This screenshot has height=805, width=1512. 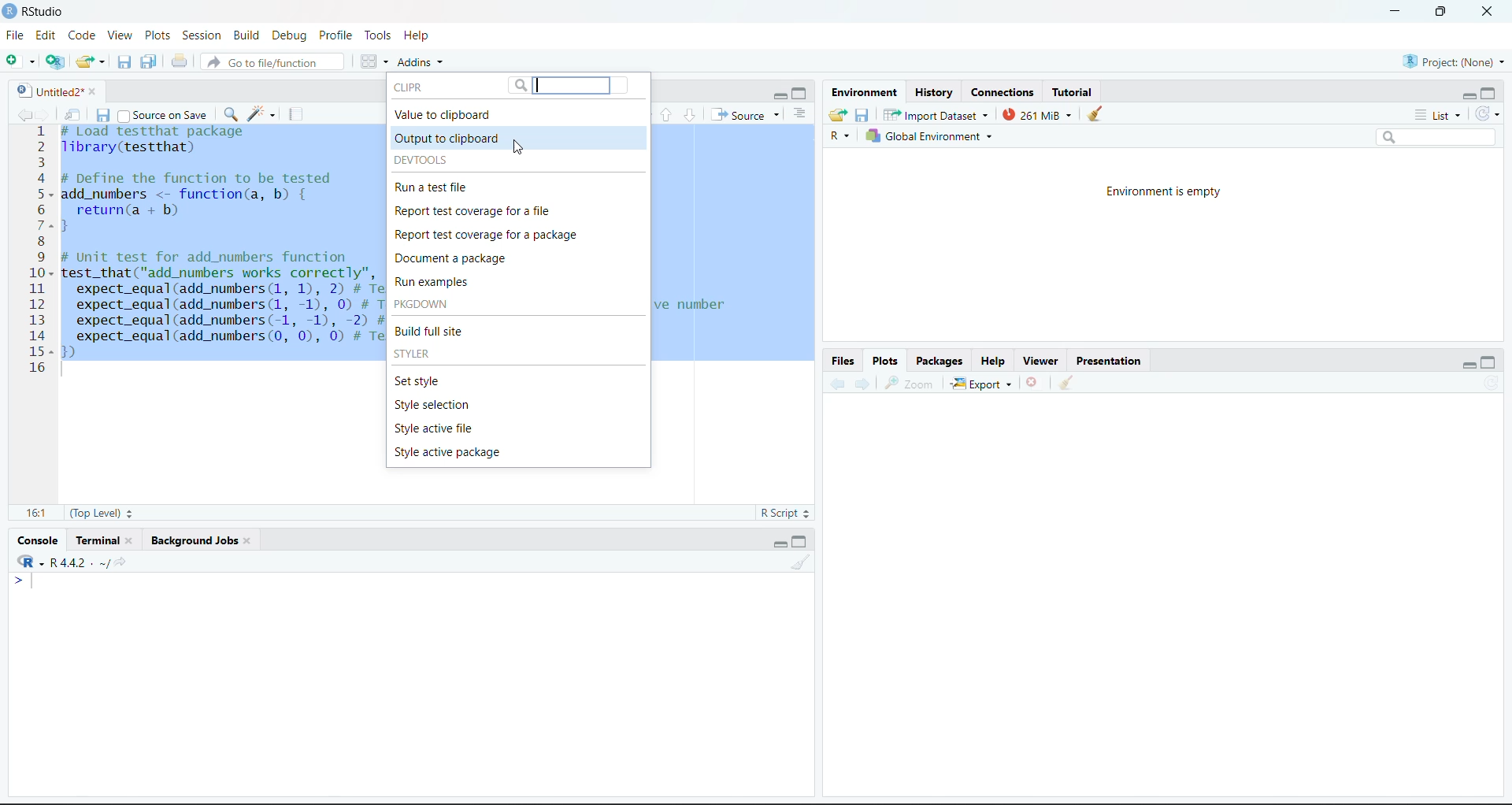 I want to click on full screen, so click(x=1441, y=13).